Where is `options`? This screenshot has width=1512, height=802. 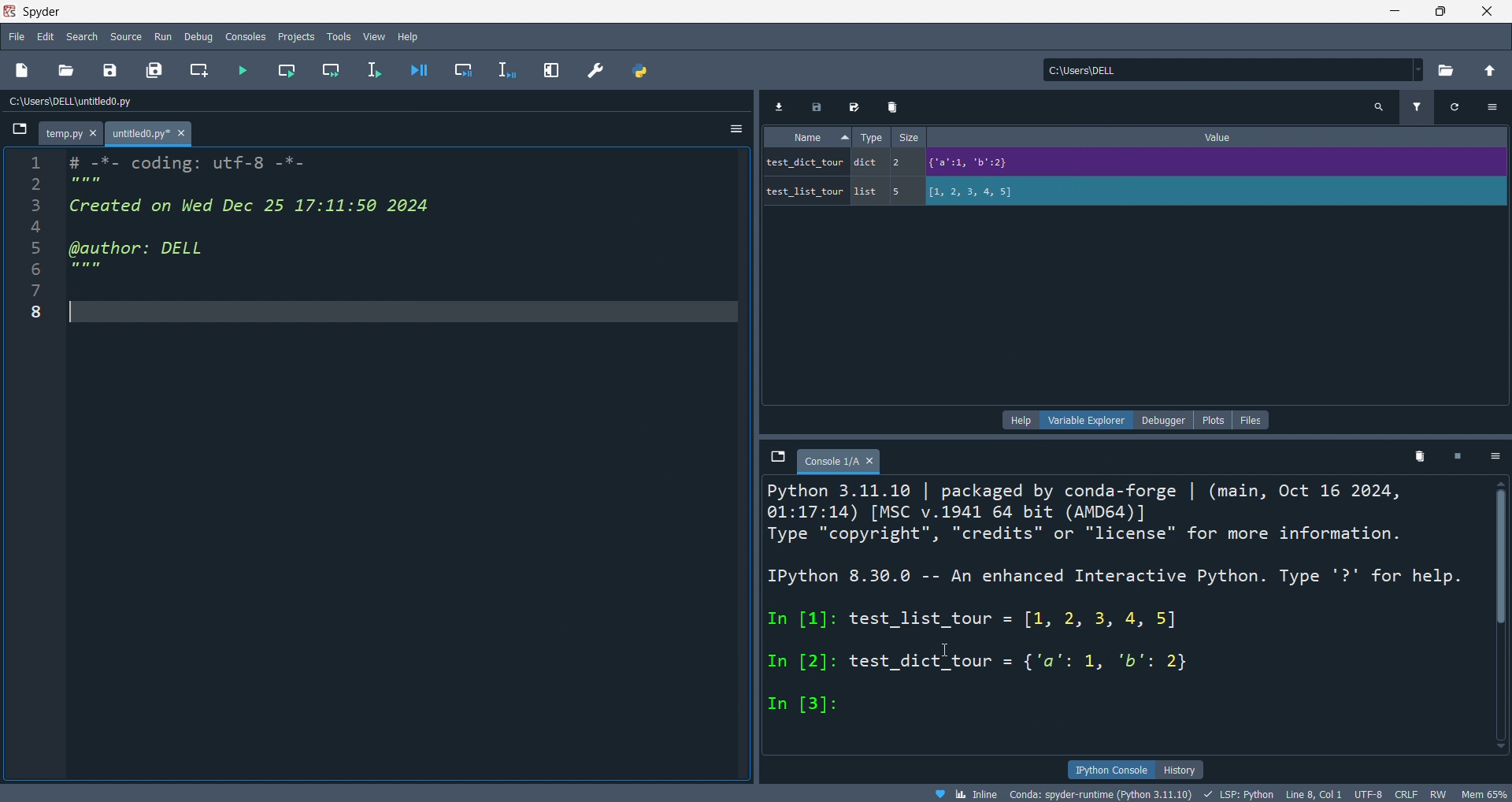 options is located at coordinates (1497, 456).